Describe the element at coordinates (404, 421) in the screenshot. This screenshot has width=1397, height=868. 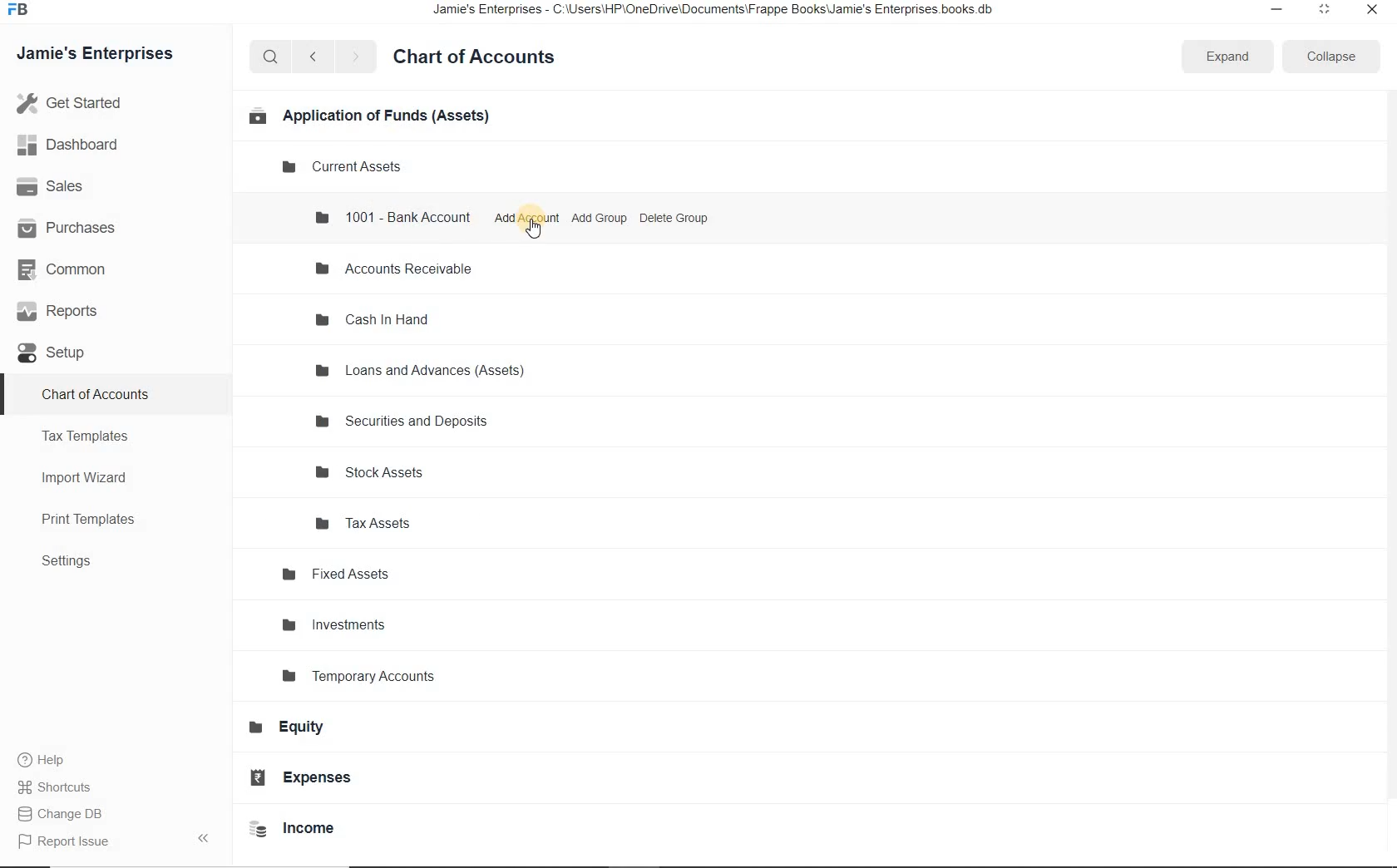
I see `Securities and Deposits` at that location.